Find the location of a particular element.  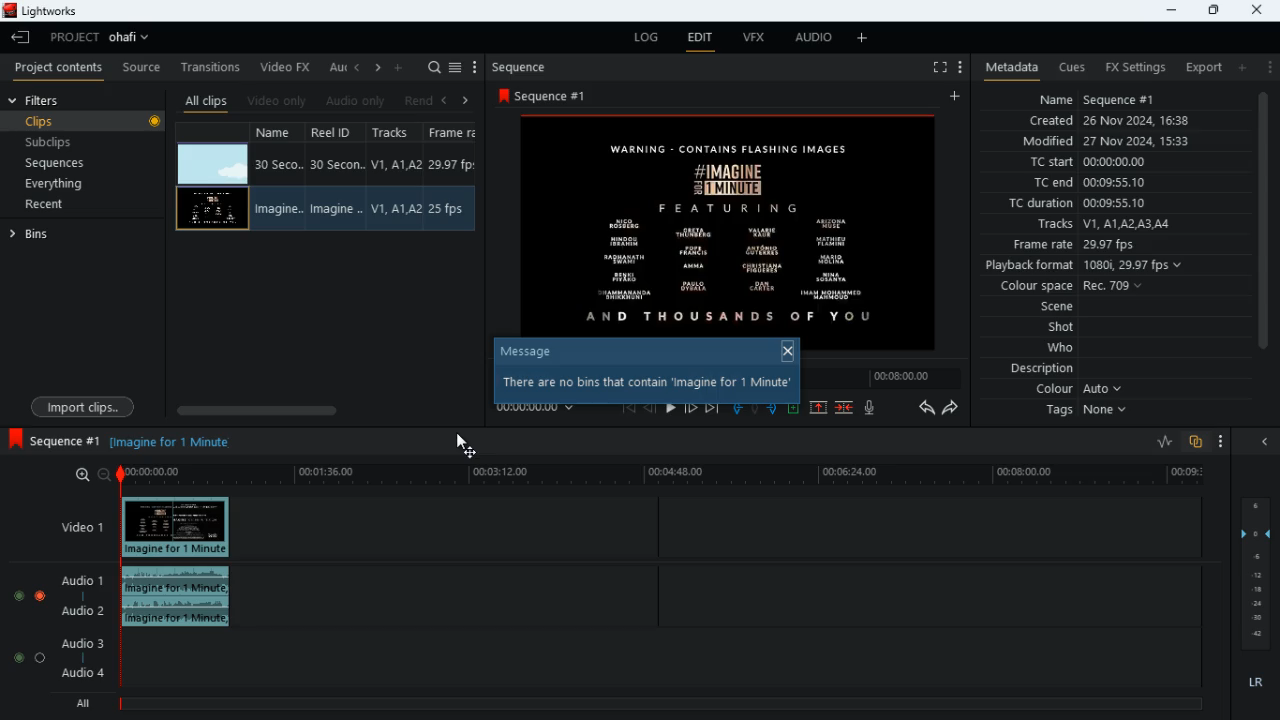

timeline is located at coordinates (889, 378).